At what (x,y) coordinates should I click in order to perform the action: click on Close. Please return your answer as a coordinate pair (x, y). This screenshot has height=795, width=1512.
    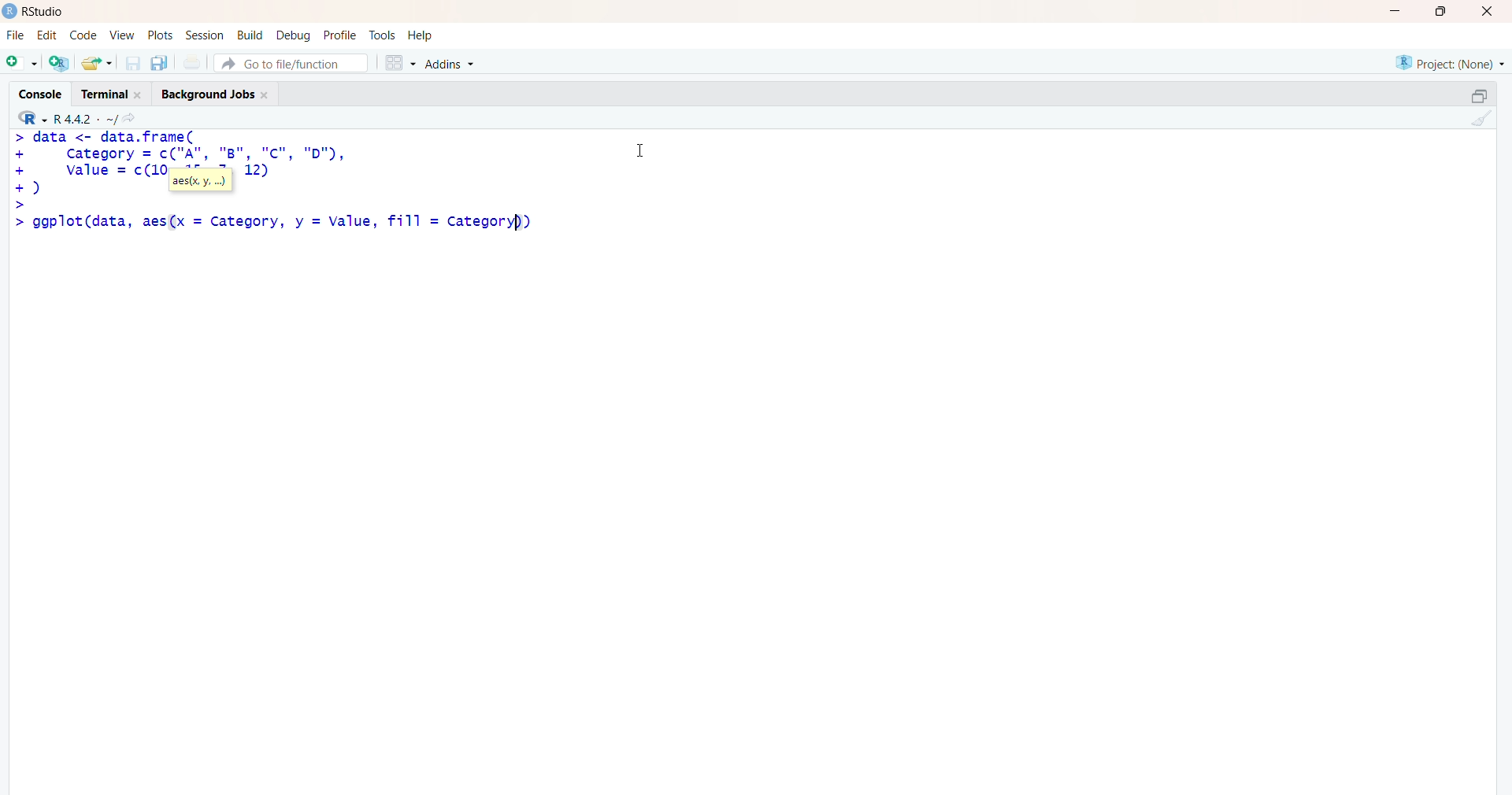
    Looking at the image, I should click on (1484, 11).